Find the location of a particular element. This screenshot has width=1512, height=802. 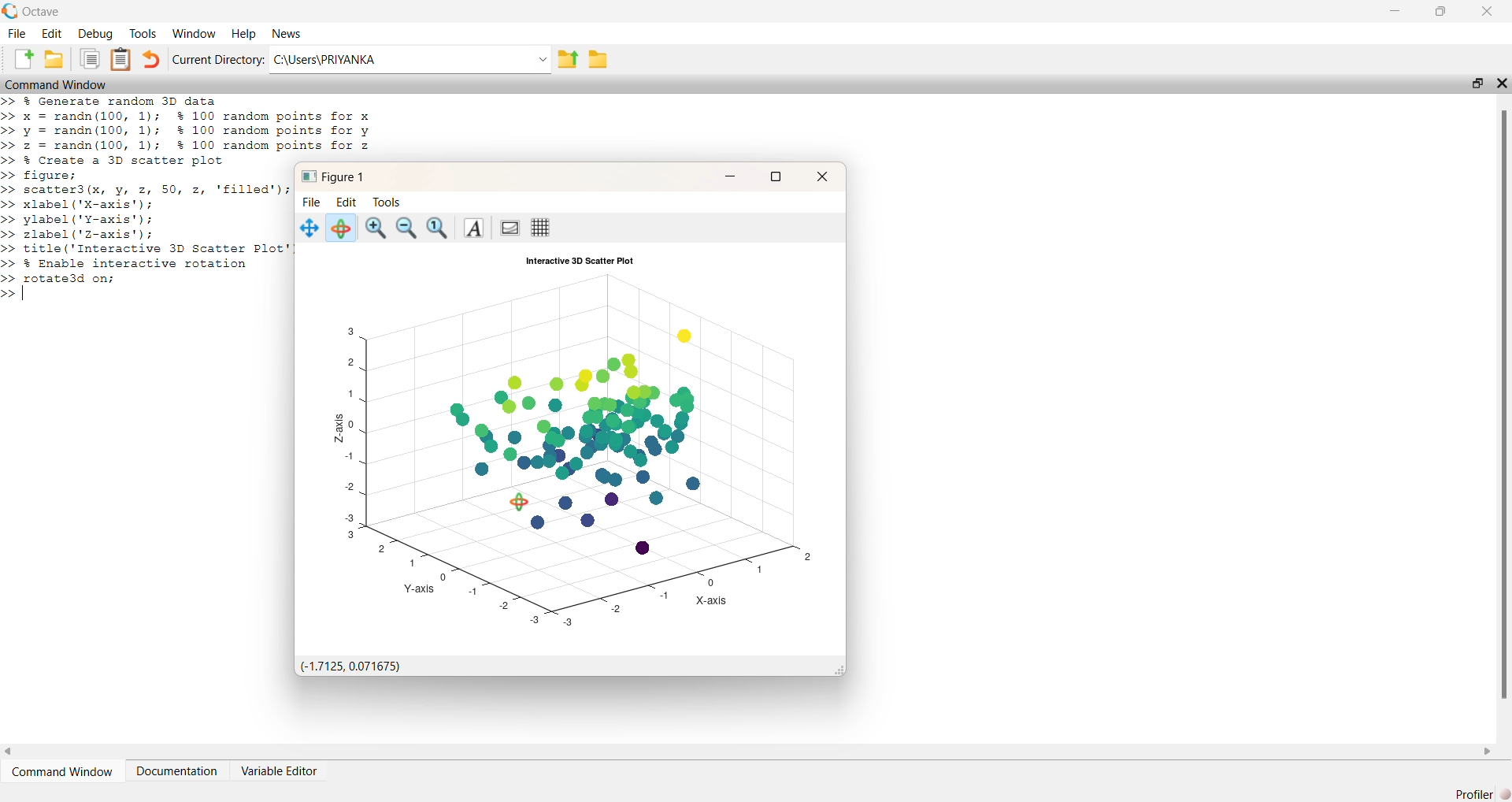

folder is located at coordinates (53, 58).